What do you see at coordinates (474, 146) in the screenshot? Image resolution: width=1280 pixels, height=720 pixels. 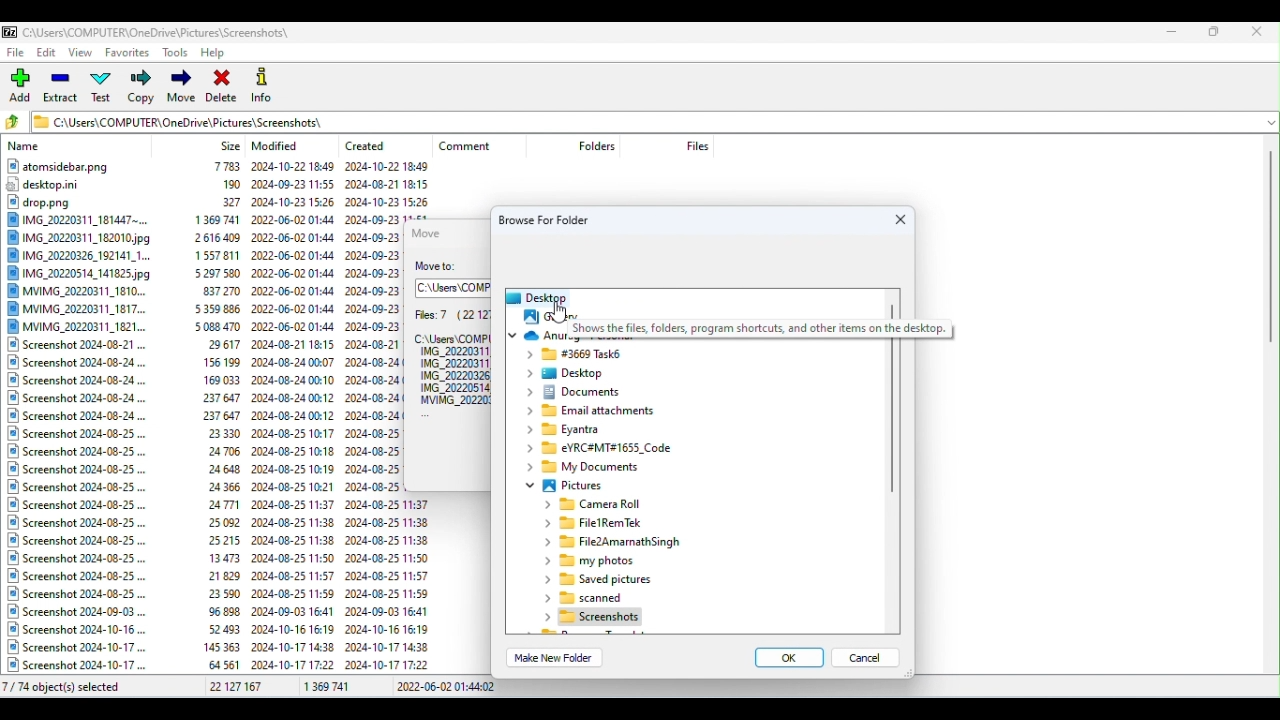 I see `Comment` at bounding box center [474, 146].